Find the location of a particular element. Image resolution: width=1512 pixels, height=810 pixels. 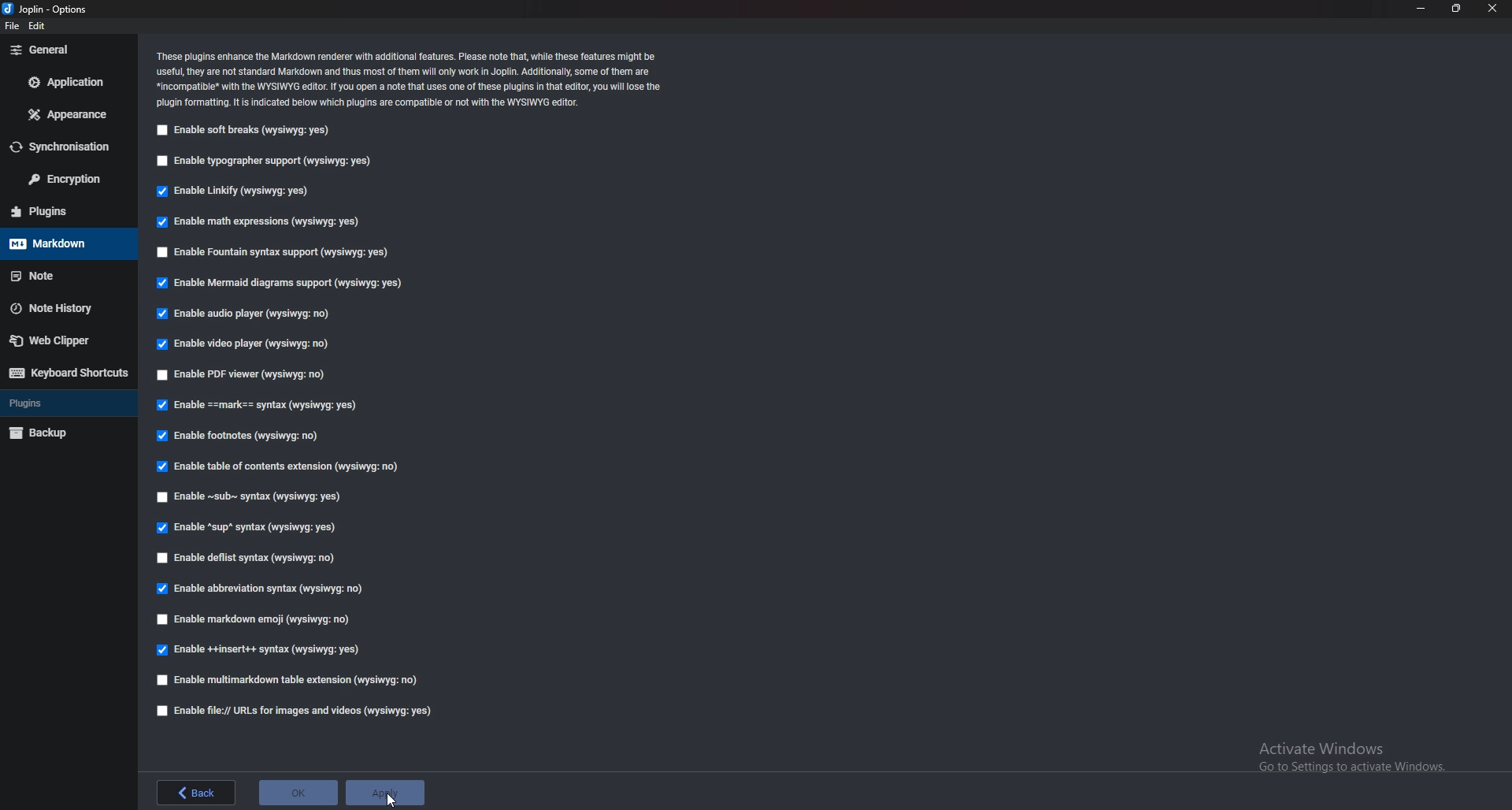

Plugins is located at coordinates (61, 405).